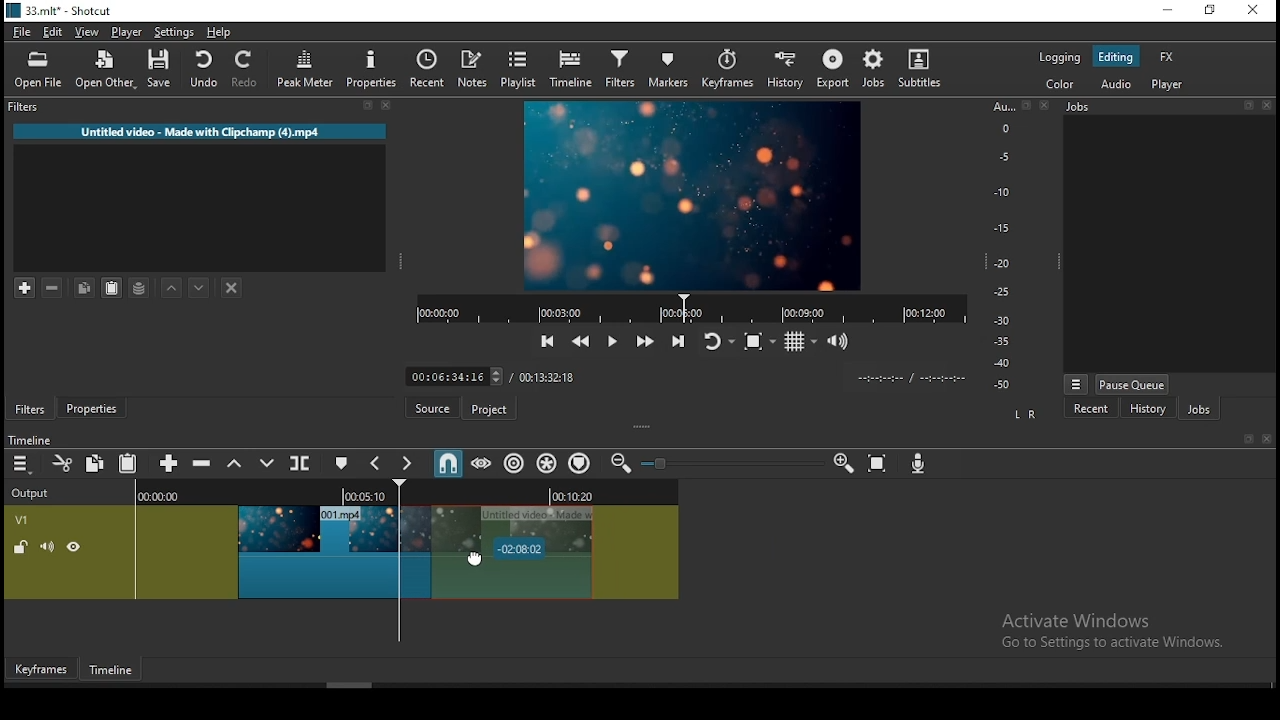 The image size is (1280, 720). I want to click on ripple, so click(514, 464).